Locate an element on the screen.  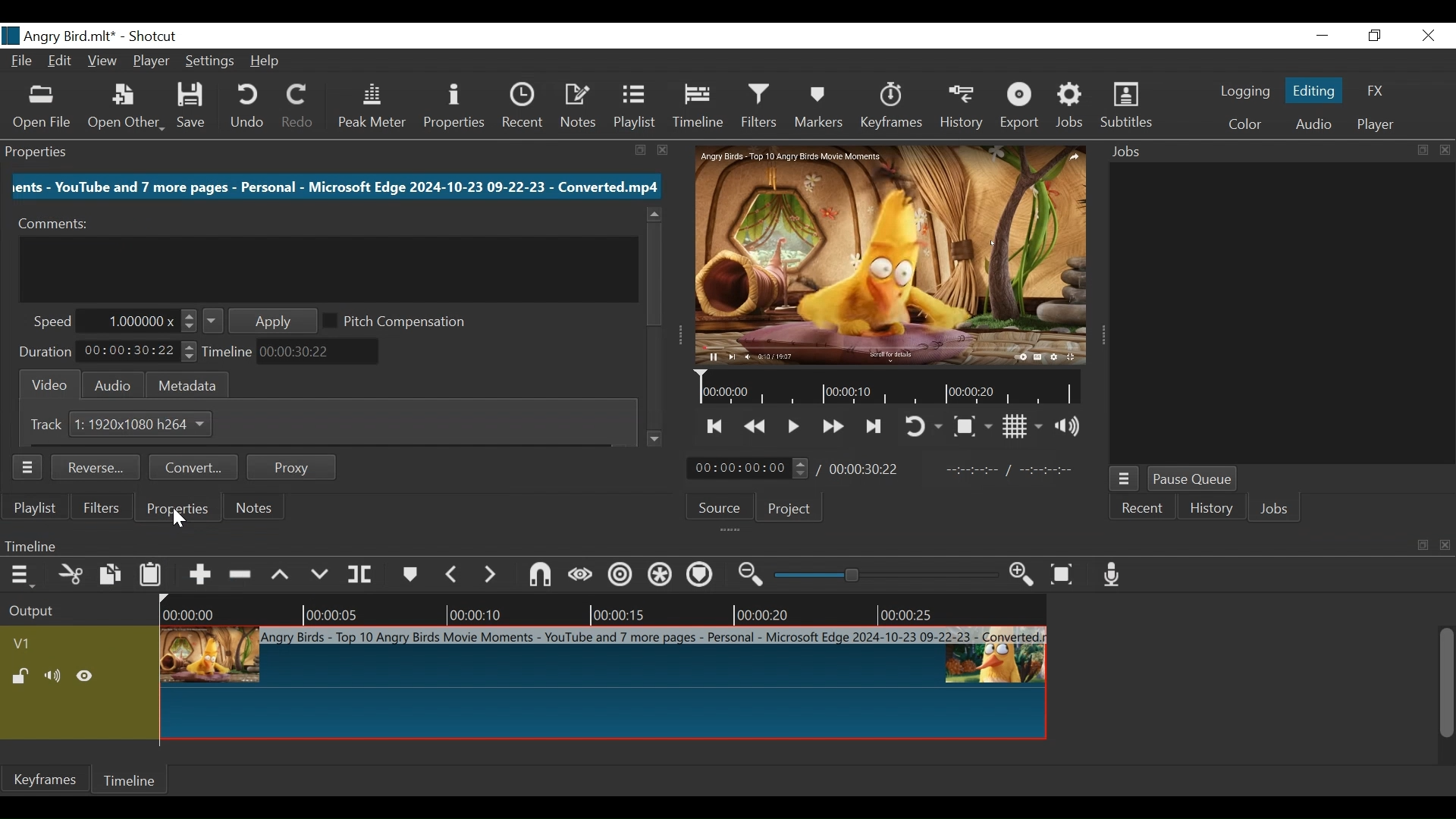
Clip on timeline is located at coordinates (602, 686).